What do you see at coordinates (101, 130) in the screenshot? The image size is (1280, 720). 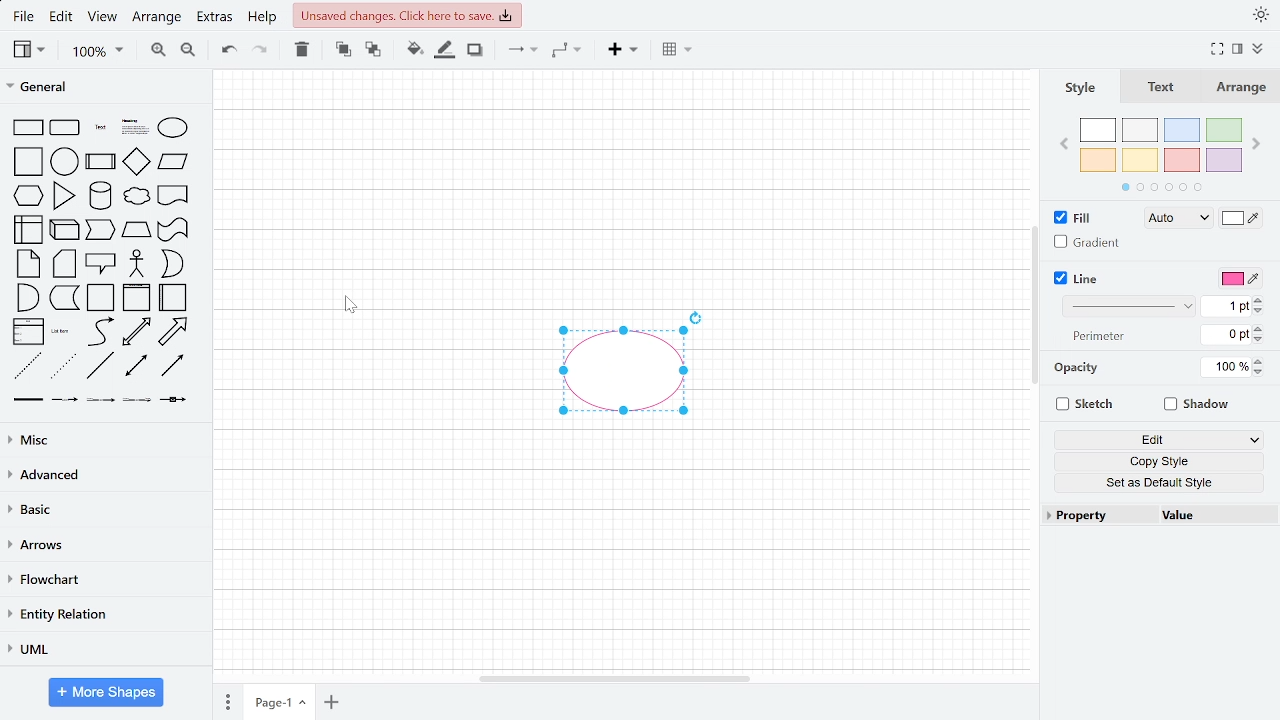 I see `text` at bounding box center [101, 130].